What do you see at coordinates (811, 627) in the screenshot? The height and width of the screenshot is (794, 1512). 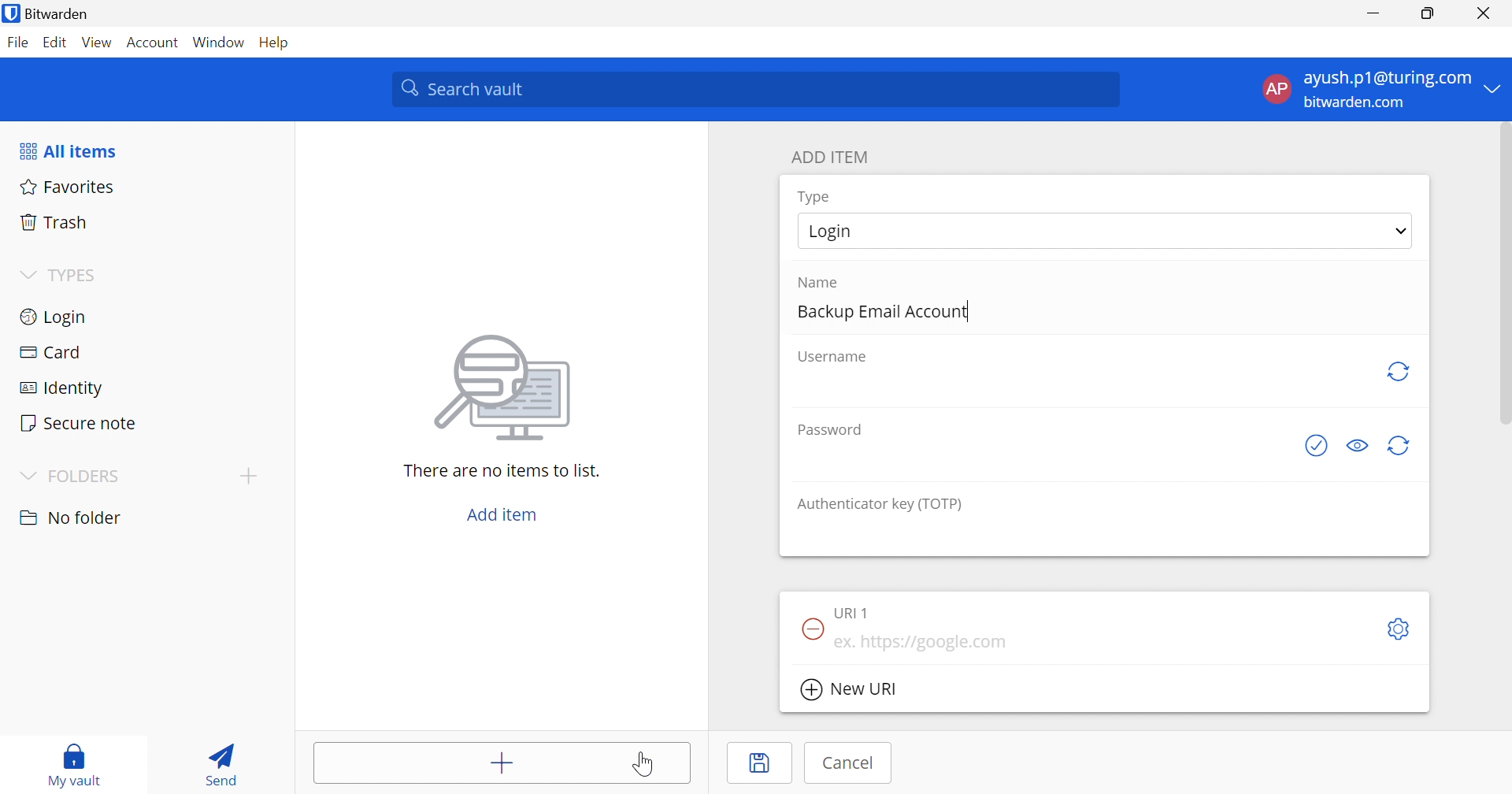 I see `Remove` at bounding box center [811, 627].